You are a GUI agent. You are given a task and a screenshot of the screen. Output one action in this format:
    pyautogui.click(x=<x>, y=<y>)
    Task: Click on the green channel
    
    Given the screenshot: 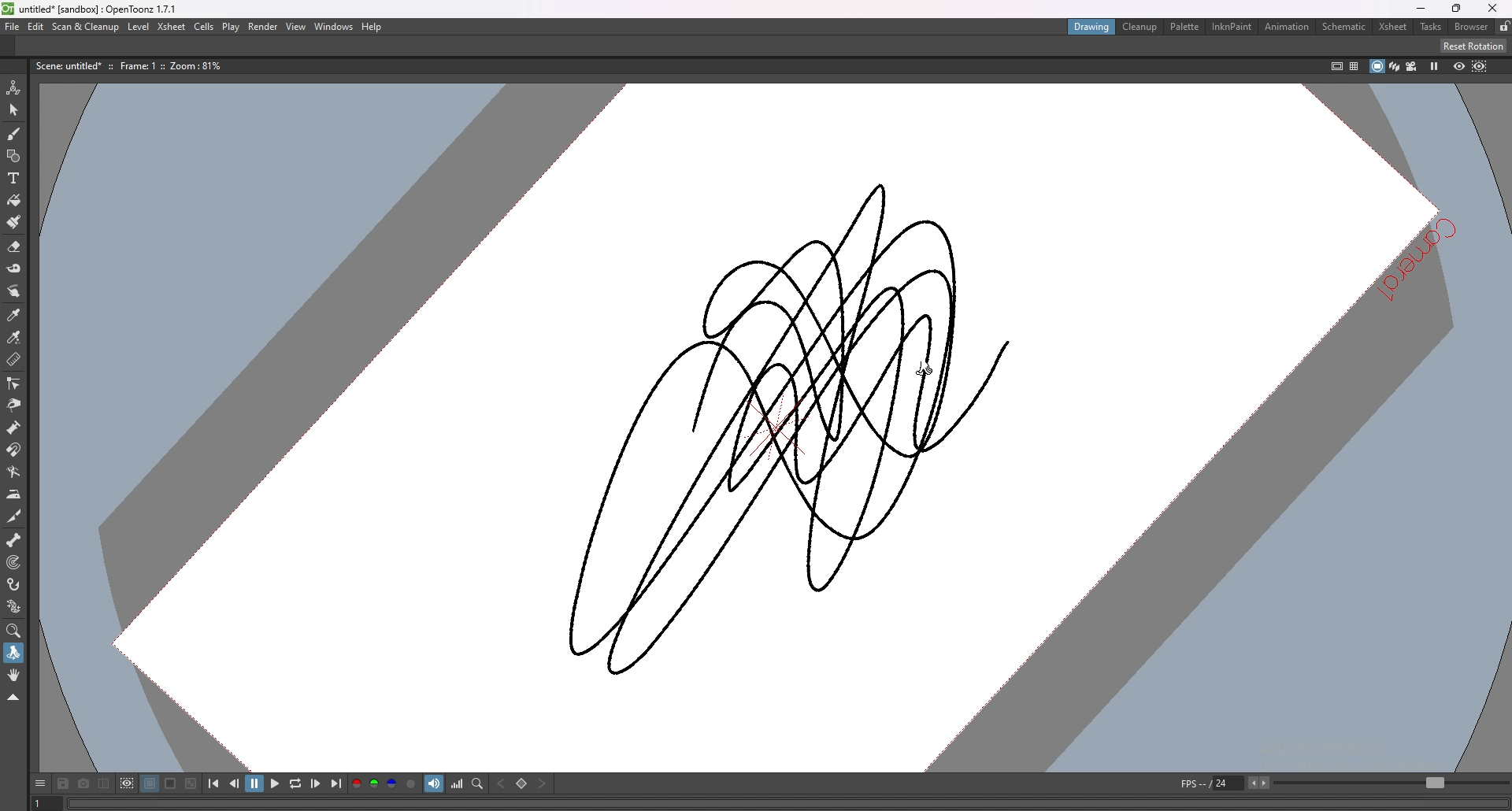 What is the action you would take?
    pyautogui.click(x=375, y=783)
    